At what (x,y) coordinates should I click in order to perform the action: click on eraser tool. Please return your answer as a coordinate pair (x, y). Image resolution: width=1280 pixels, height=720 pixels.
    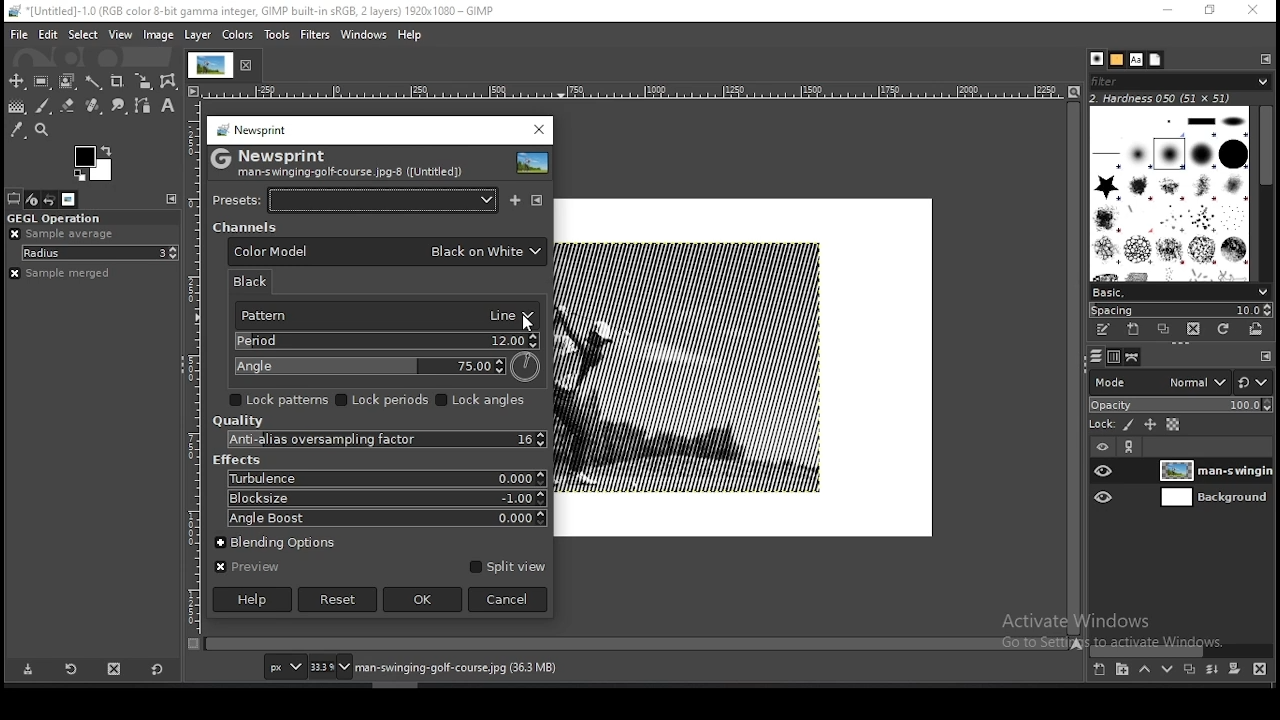
    Looking at the image, I should click on (68, 107).